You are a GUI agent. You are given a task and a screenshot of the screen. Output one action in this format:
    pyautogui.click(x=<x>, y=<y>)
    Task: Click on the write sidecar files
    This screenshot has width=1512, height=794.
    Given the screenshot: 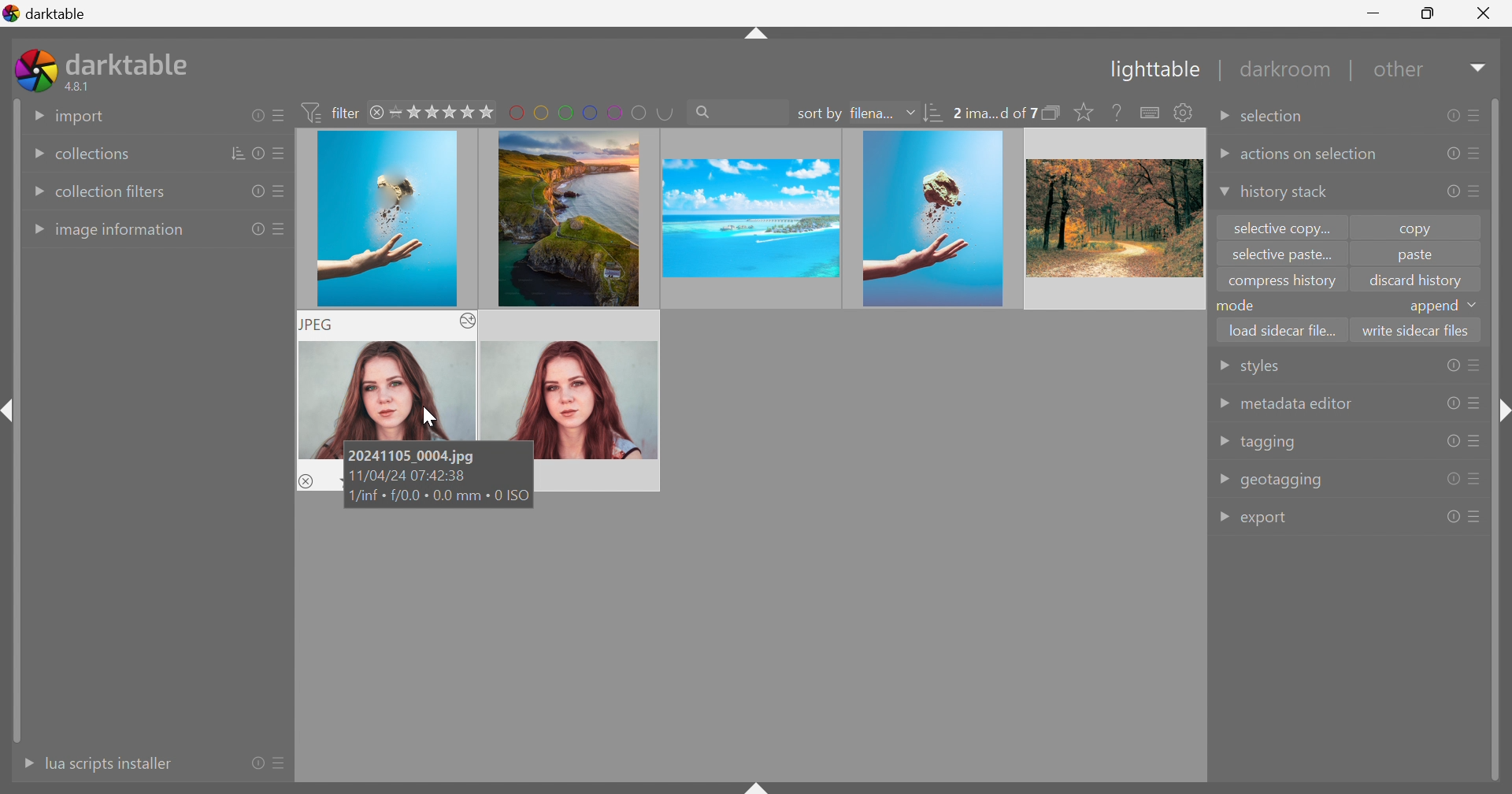 What is the action you would take?
    pyautogui.click(x=1416, y=329)
    